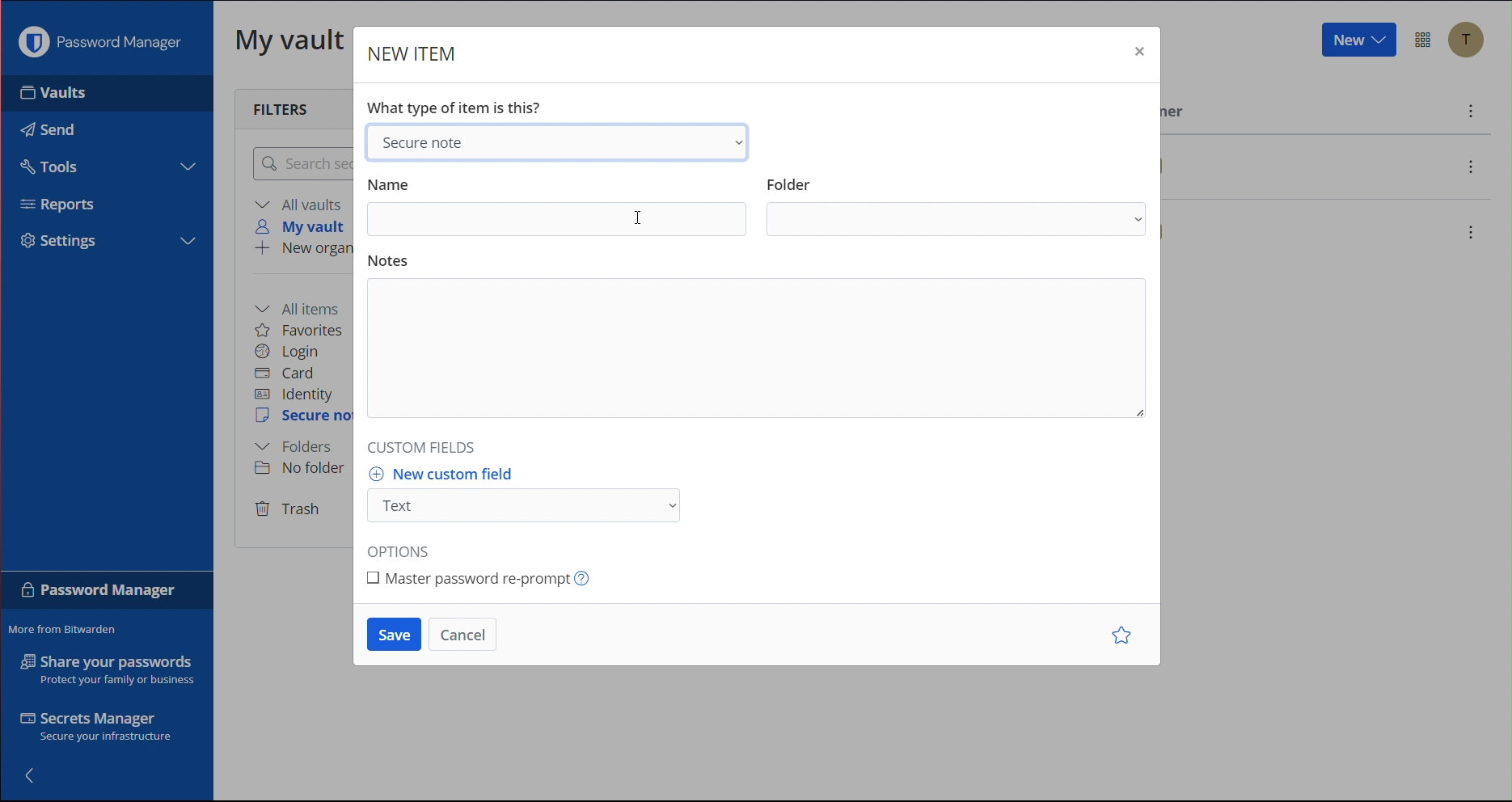 The image size is (1512, 802). Describe the element at coordinates (37, 775) in the screenshot. I see `back` at that location.